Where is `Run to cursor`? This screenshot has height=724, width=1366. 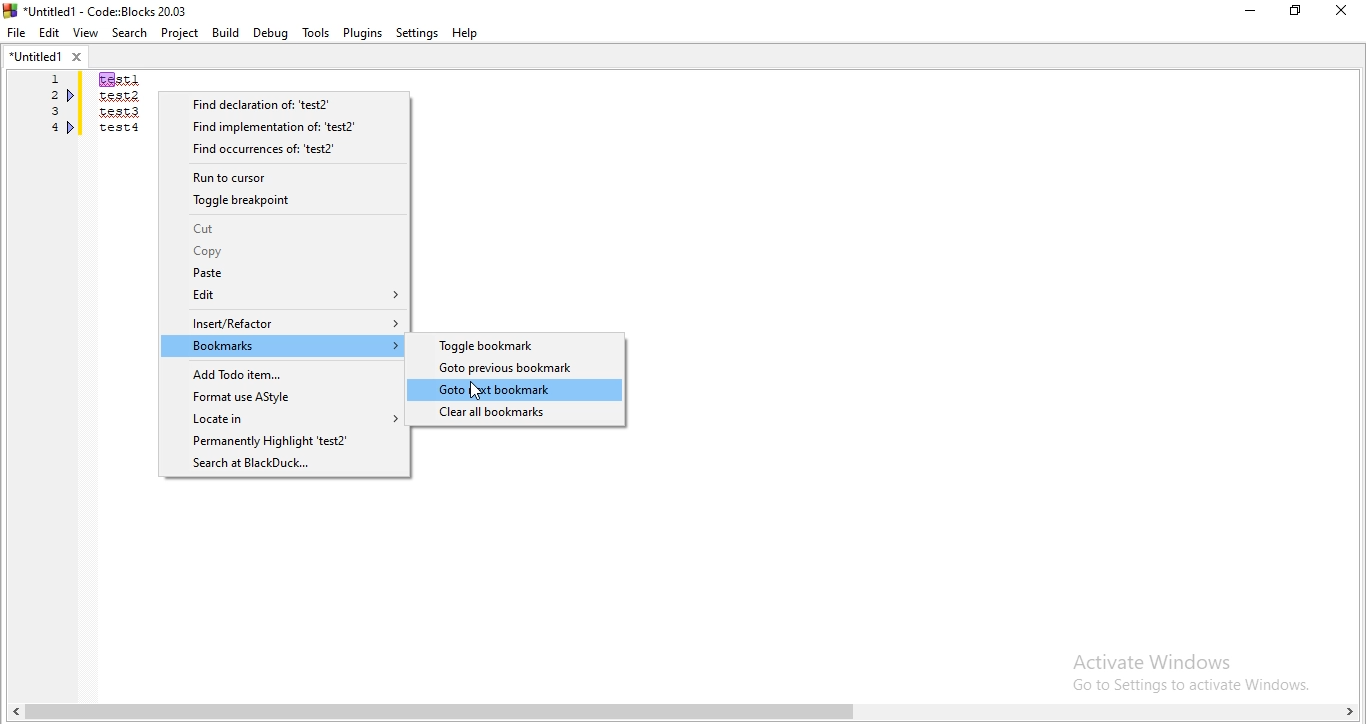
Run to cursor is located at coordinates (286, 175).